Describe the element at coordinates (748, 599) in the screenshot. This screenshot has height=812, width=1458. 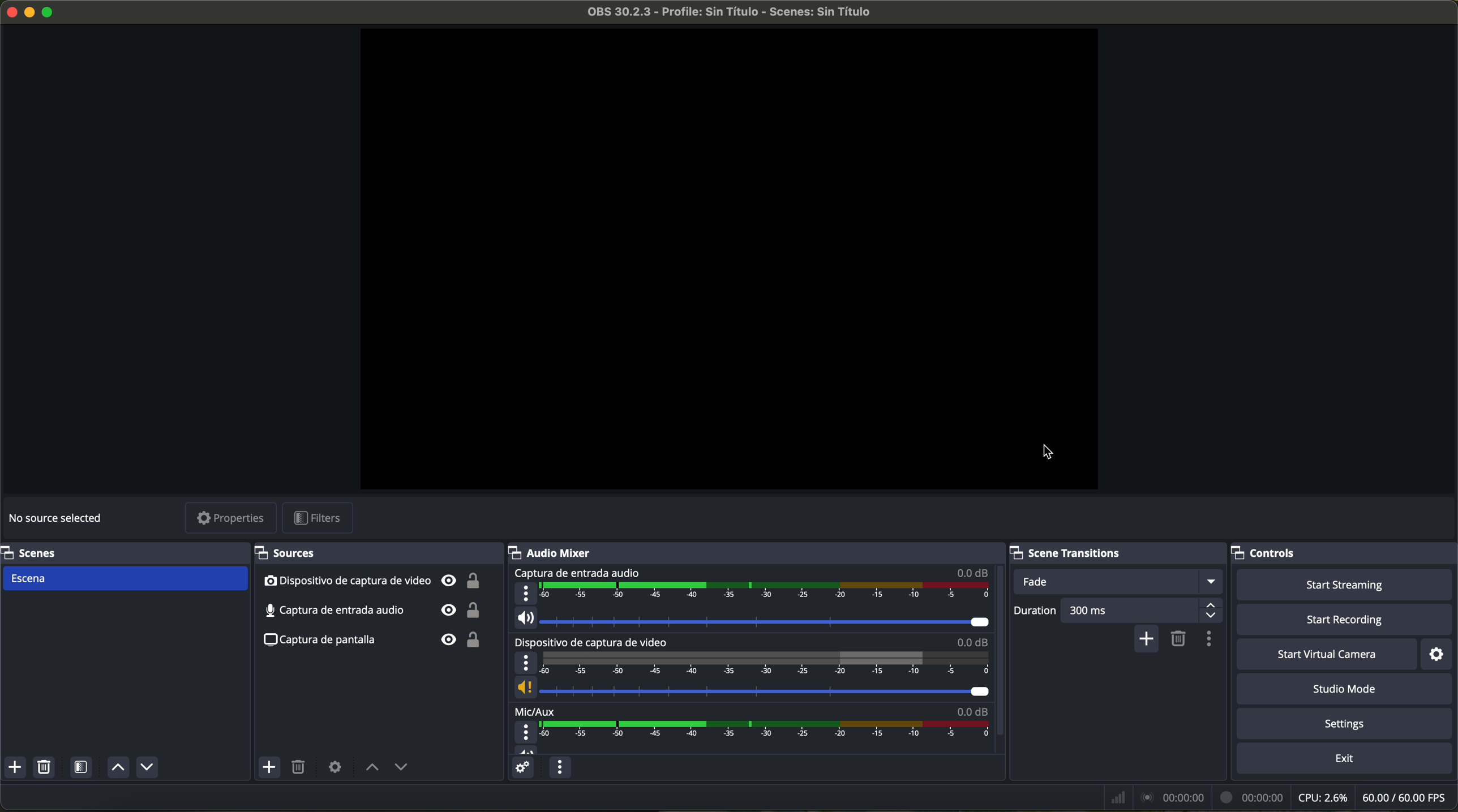
I see `audio input capture` at that location.